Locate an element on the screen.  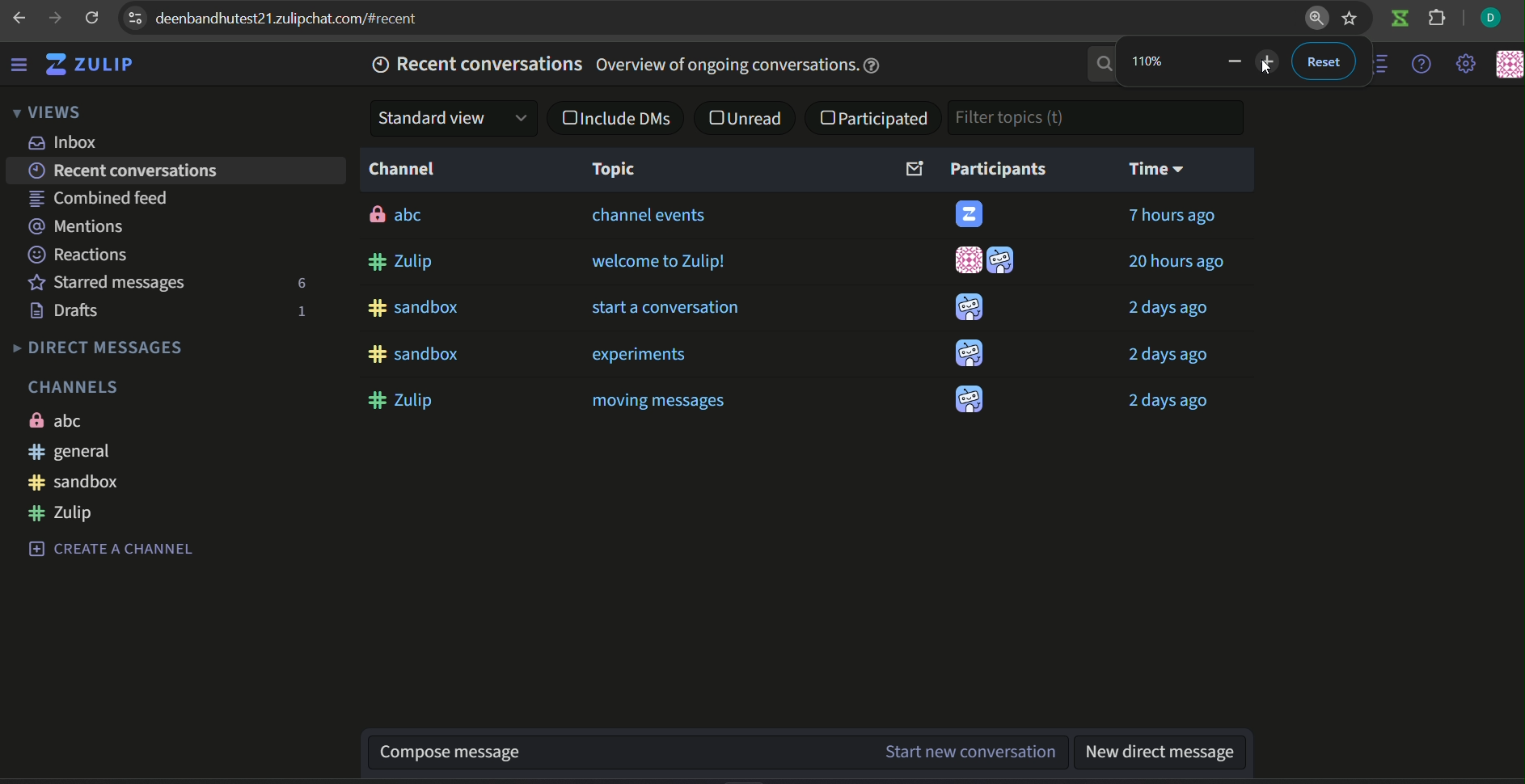
icon is located at coordinates (1003, 262).